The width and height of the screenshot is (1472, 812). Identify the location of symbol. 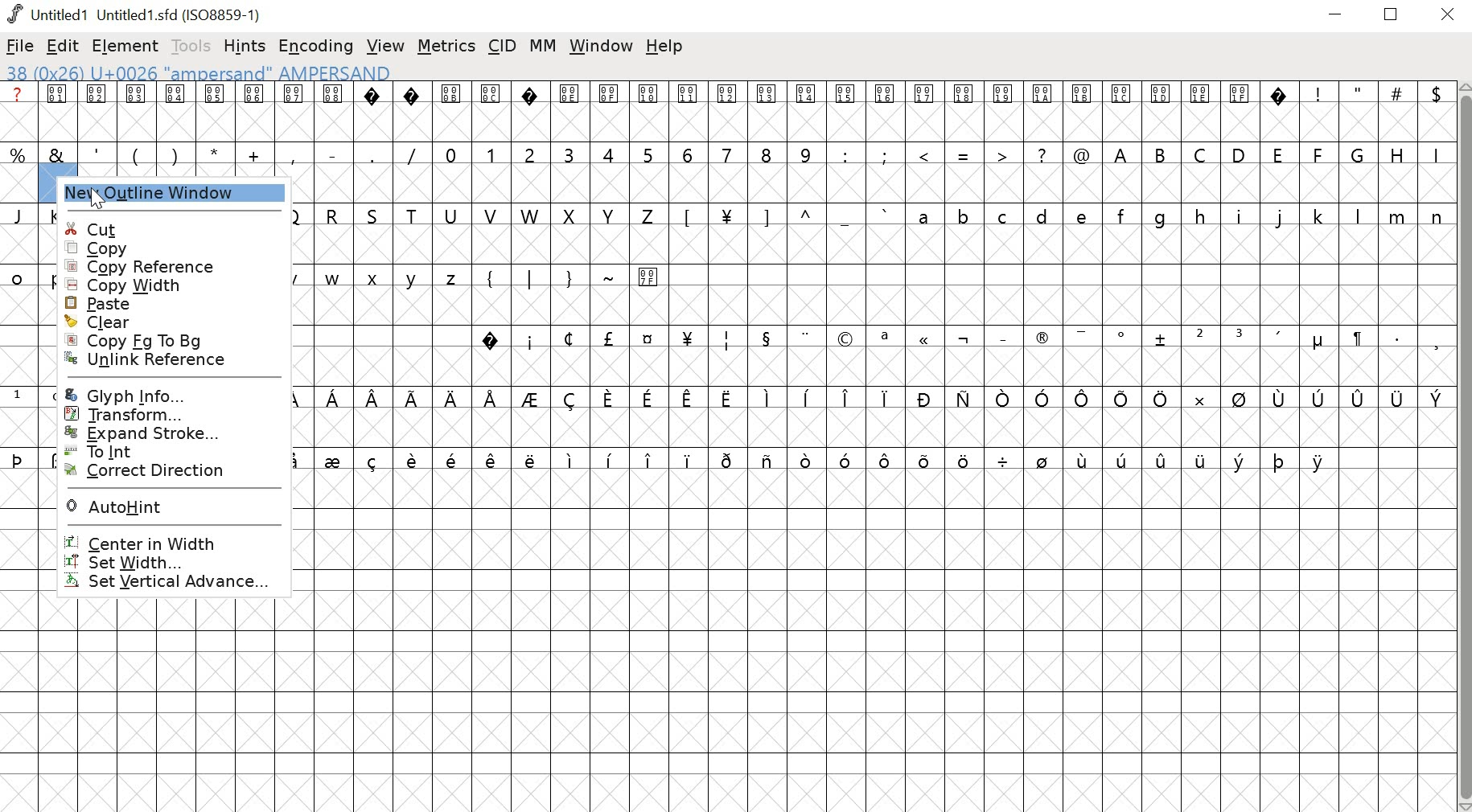
(1043, 459).